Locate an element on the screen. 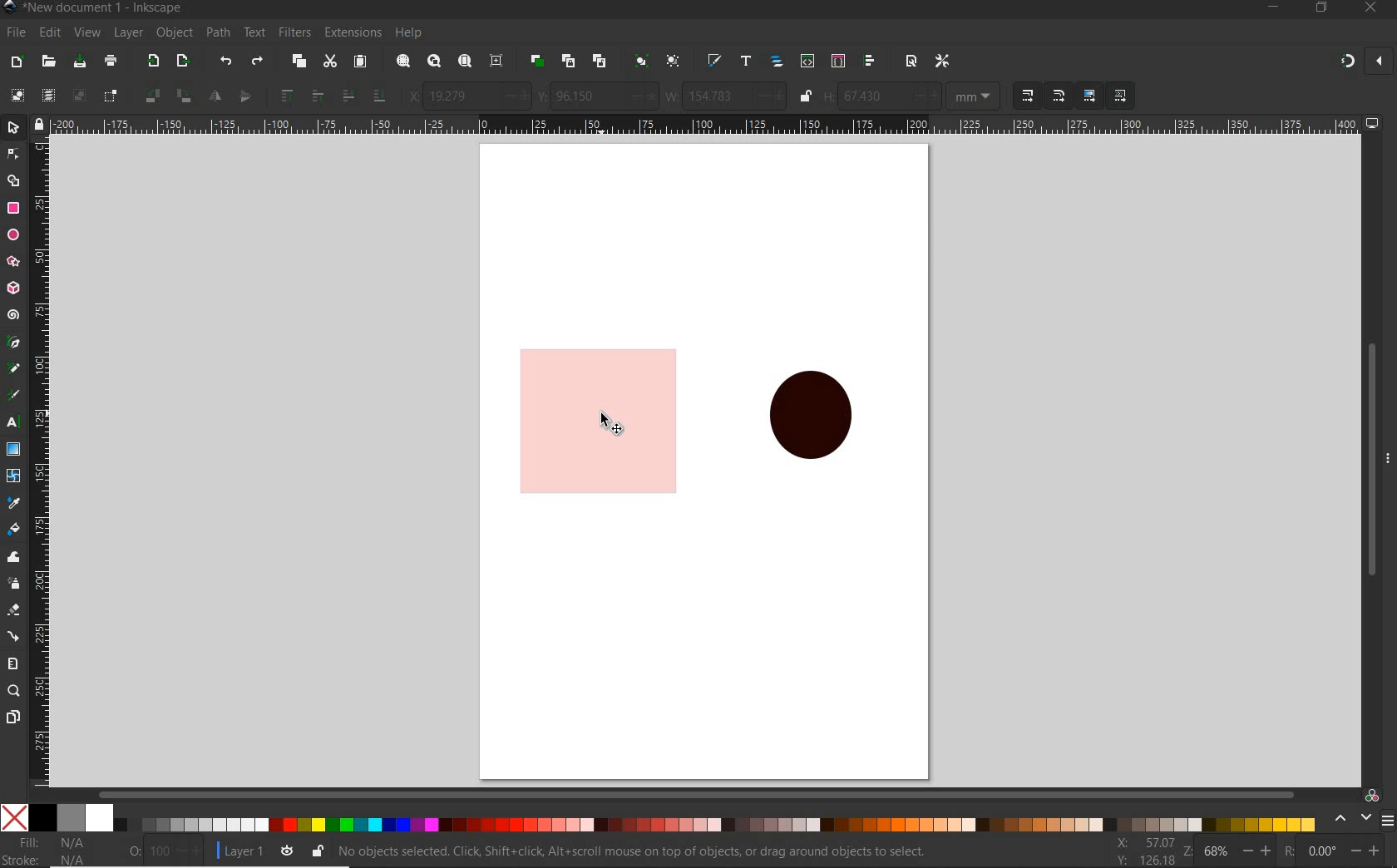  SIDEBAR is located at coordinates (1389, 821).